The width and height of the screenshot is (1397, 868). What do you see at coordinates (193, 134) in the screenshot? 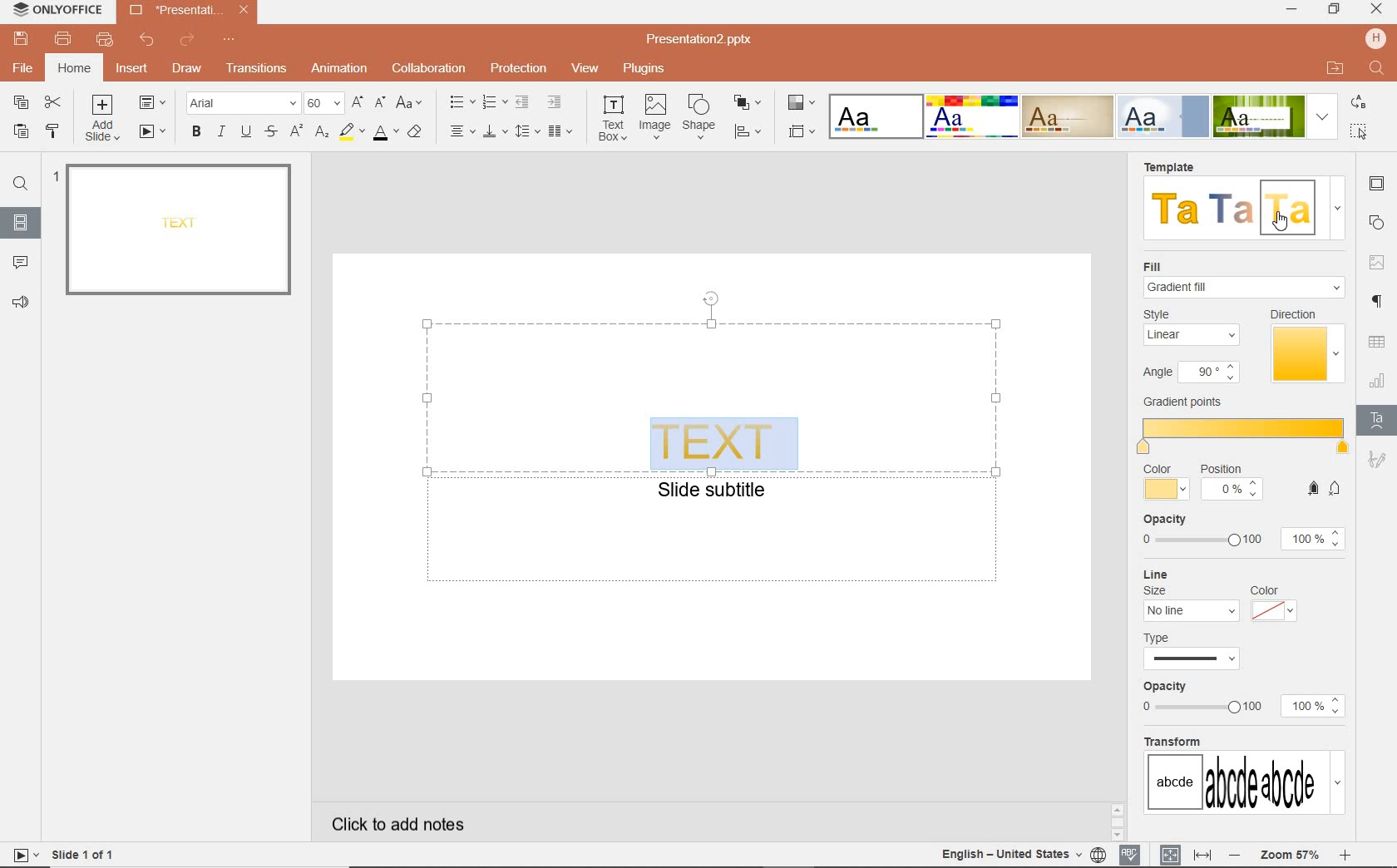
I see `BOLD` at bounding box center [193, 134].